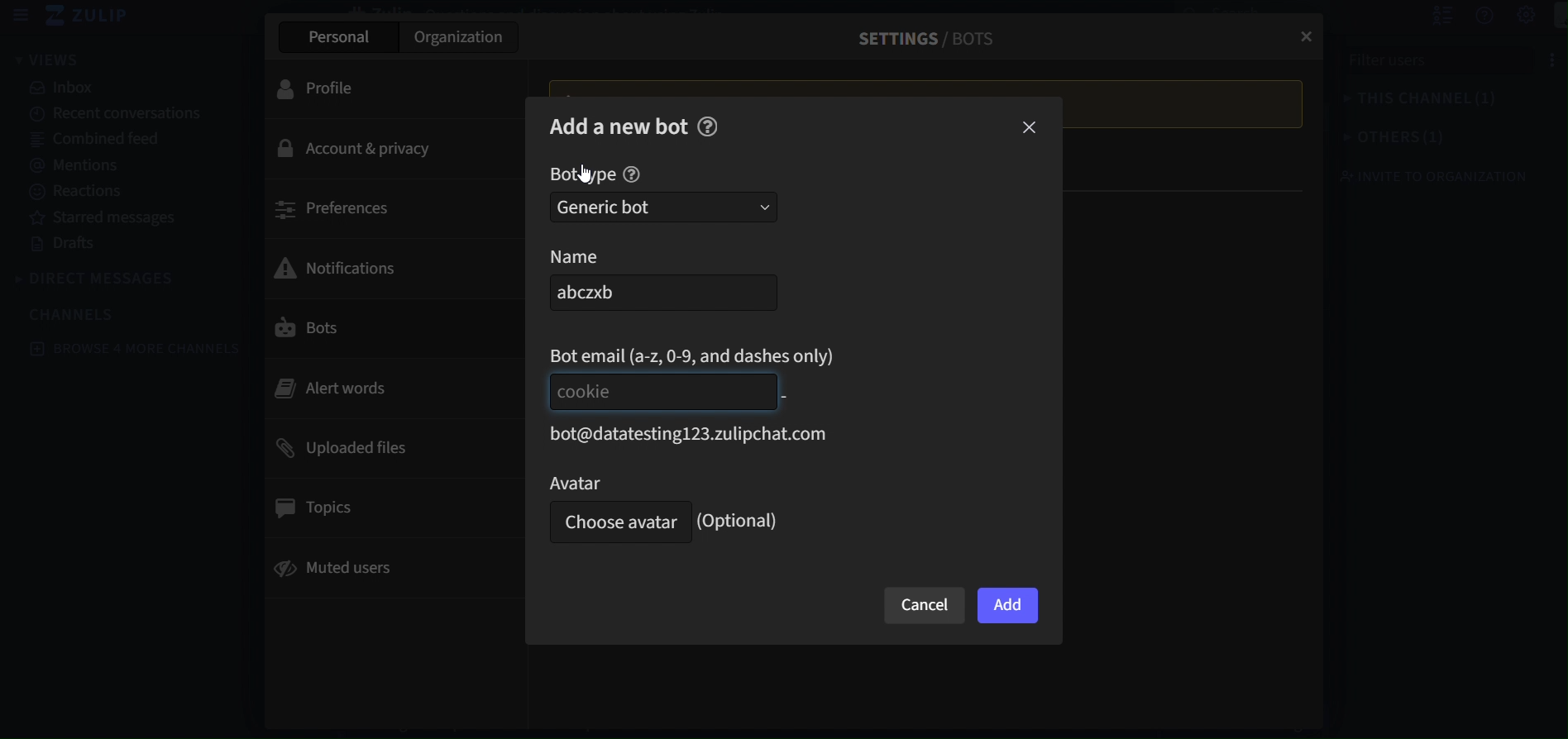  I want to click on name, so click(595, 256).